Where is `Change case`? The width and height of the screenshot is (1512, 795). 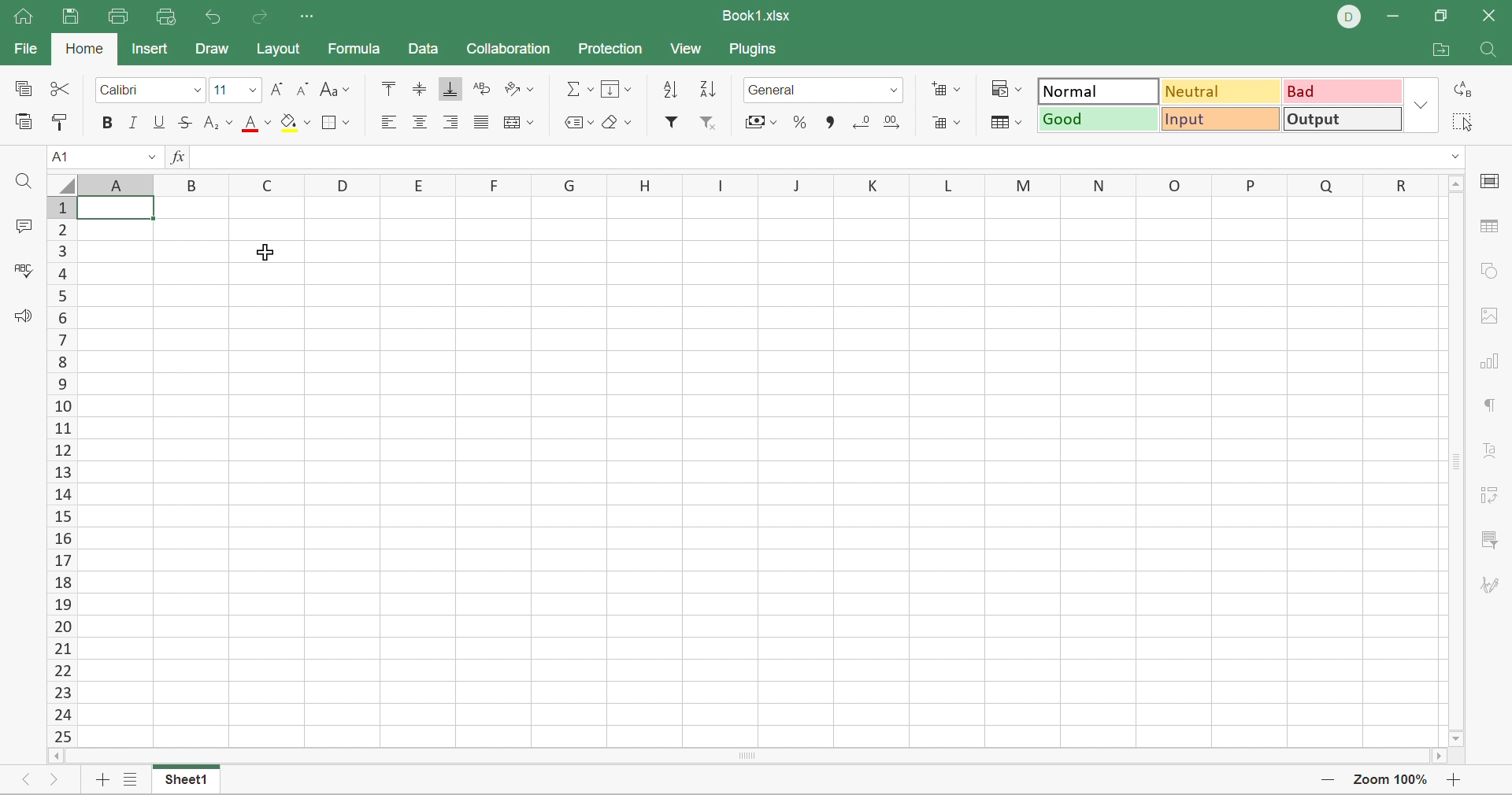 Change case is located at coordinates (338, 89).